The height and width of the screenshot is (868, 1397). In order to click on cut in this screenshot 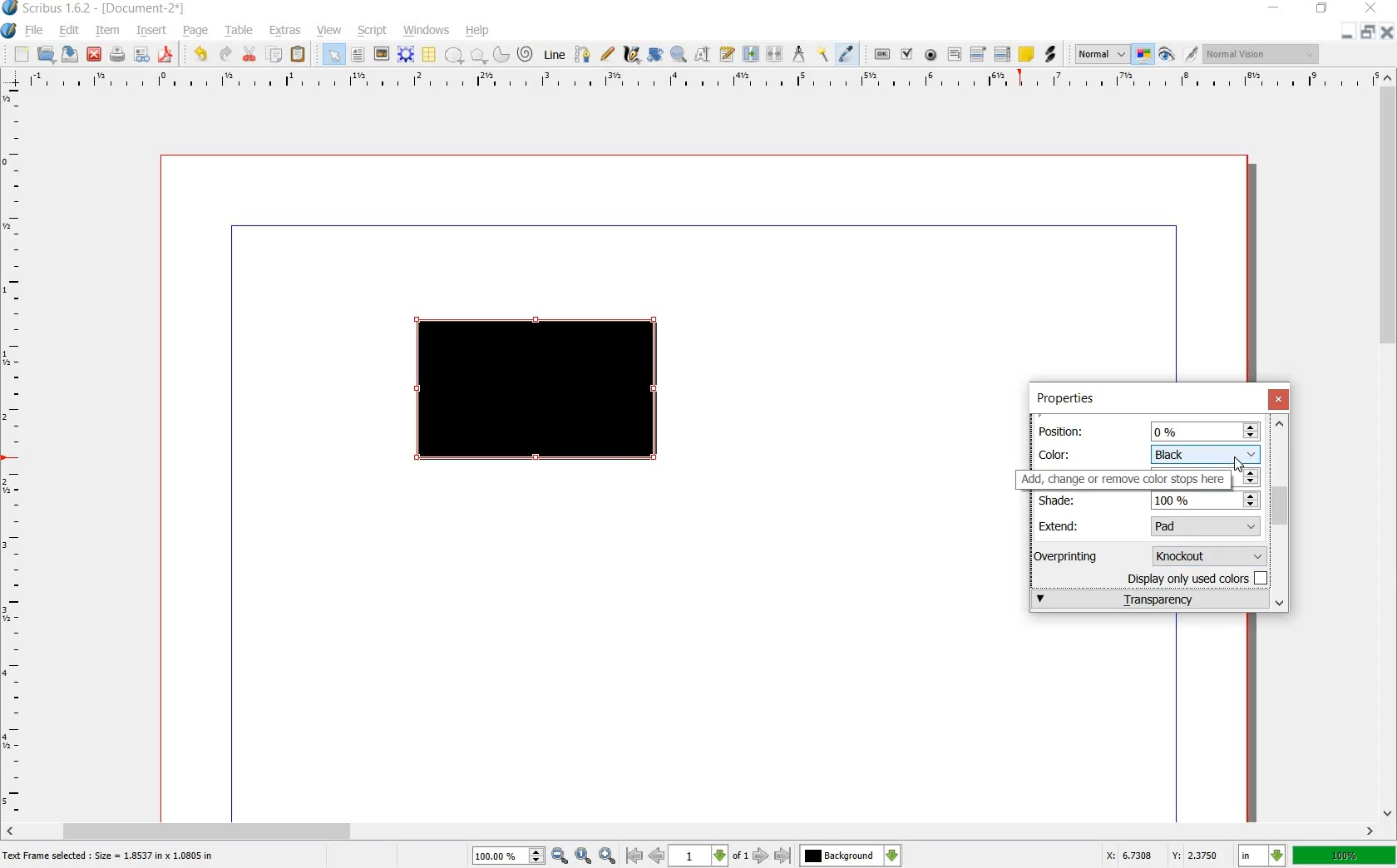, I will do `click(250, 55)`.